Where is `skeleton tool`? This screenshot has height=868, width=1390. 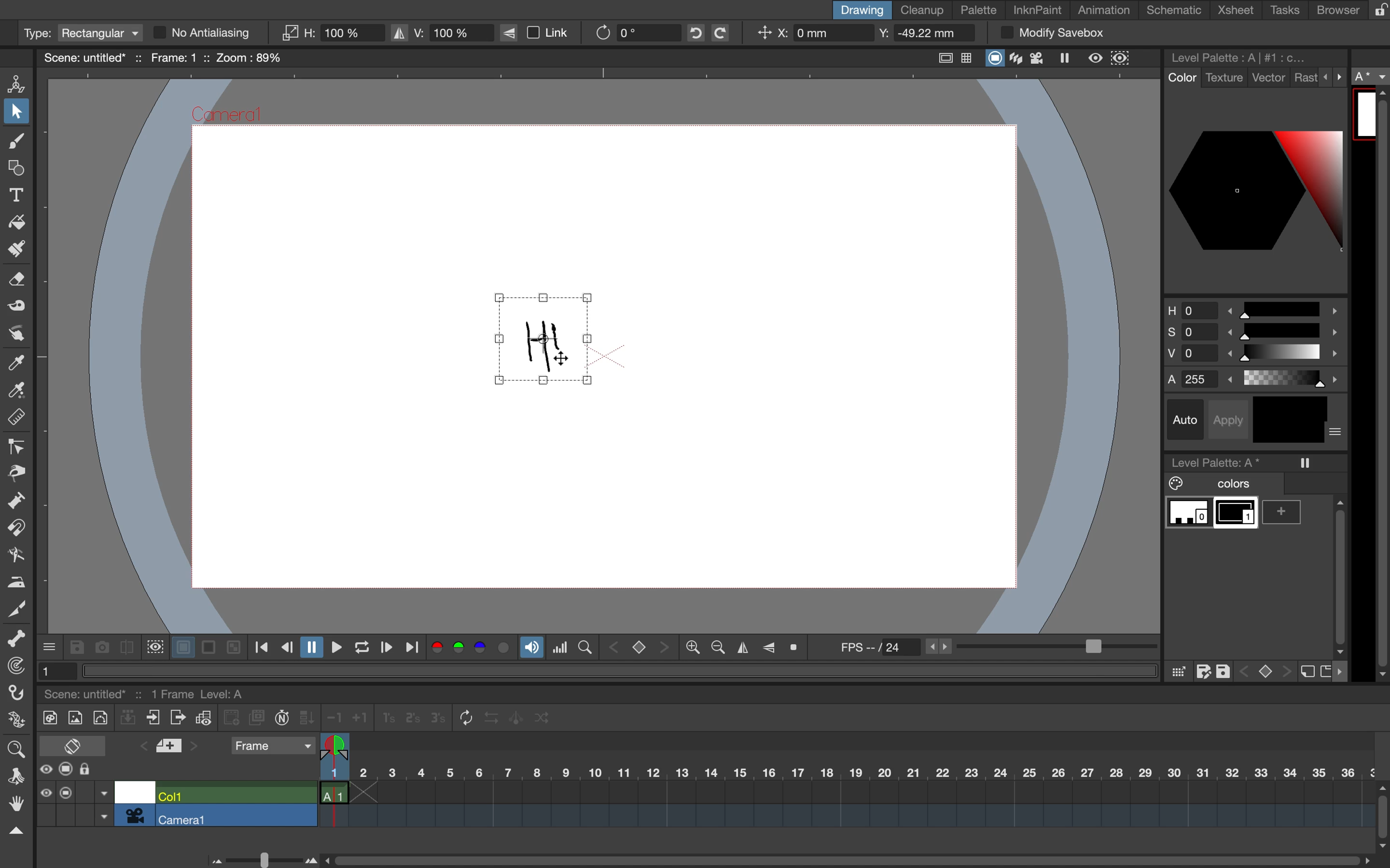
skeleton tool is located at coordinates (17, 639).